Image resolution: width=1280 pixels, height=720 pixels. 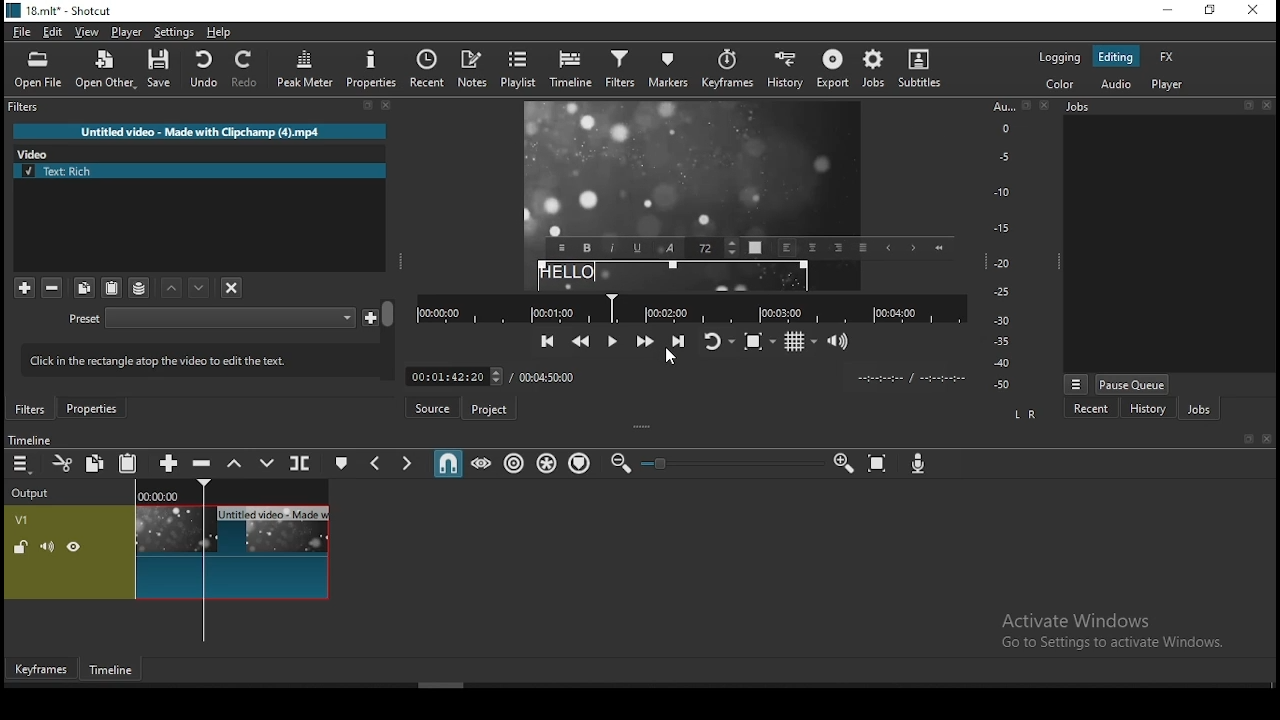 What do you see at coordinates (1266, 105) in the screenshot?
I see `Close` at bounding box center [1266, 105].